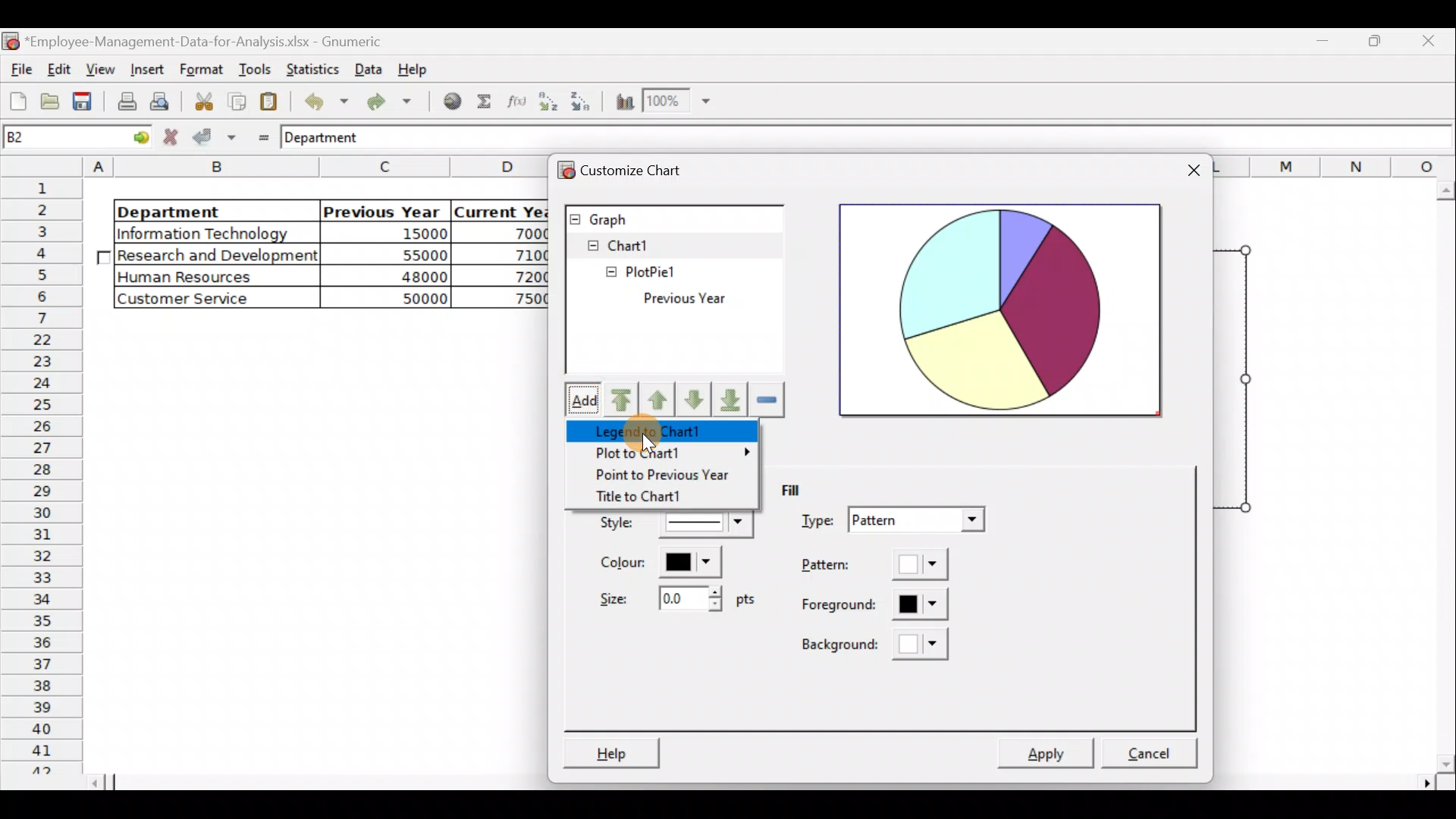 This screenshot has height=819, width=1456. I want to click on Rows, so click(45, 475).